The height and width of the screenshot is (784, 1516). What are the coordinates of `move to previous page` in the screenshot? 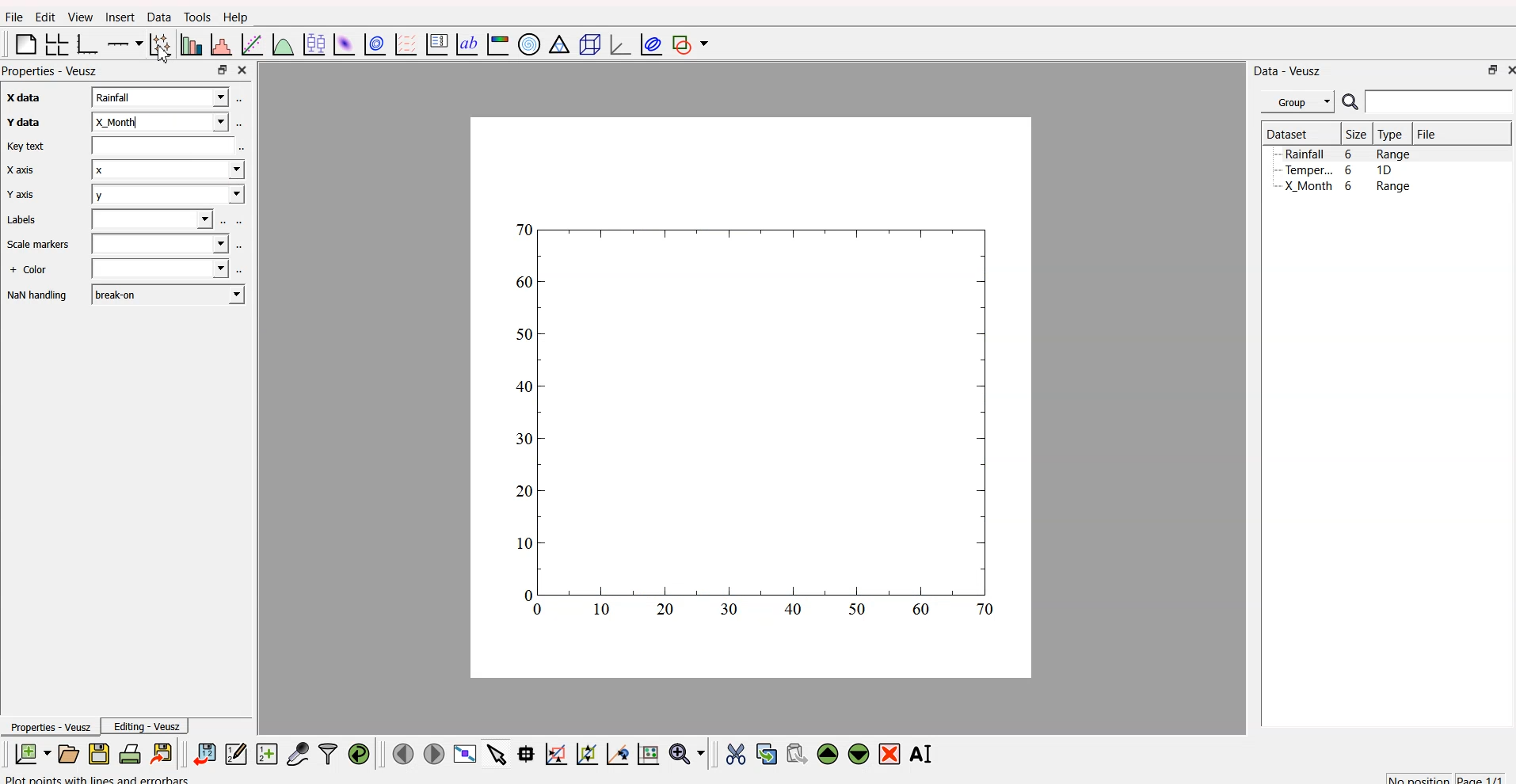 It's located at (403, 752).